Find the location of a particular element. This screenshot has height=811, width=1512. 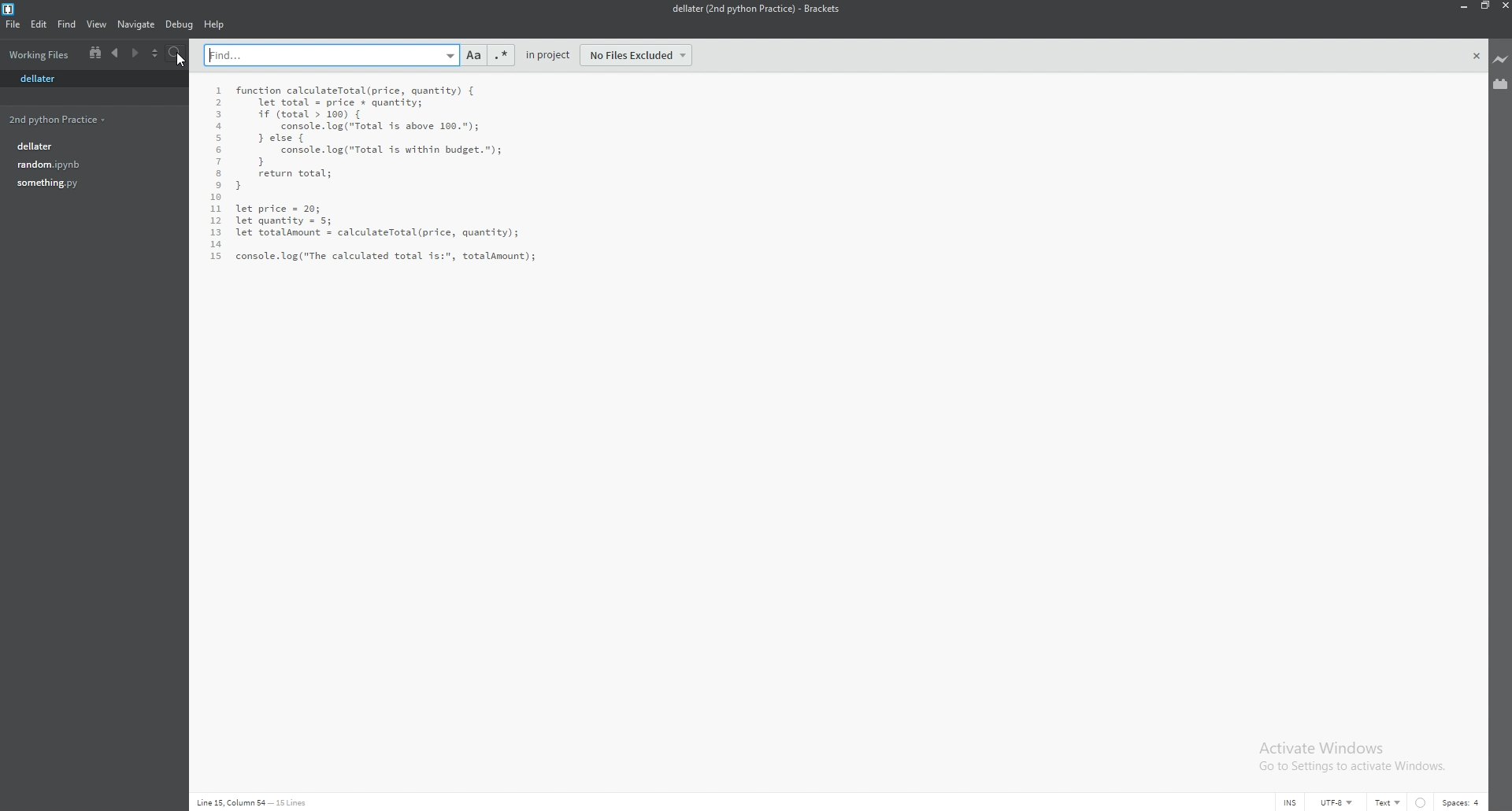

spaces: 4 is located at coordinates (1462, 803).